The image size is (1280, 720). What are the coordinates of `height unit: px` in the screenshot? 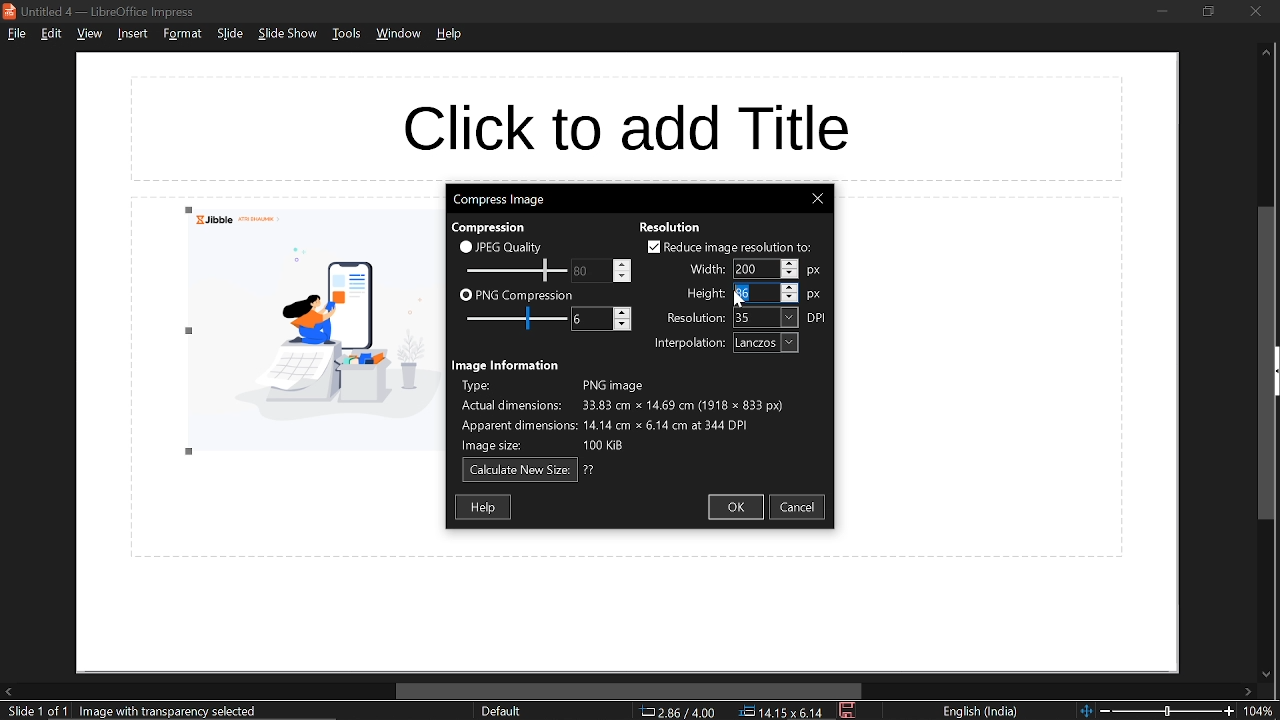 It's located at (815, 296).